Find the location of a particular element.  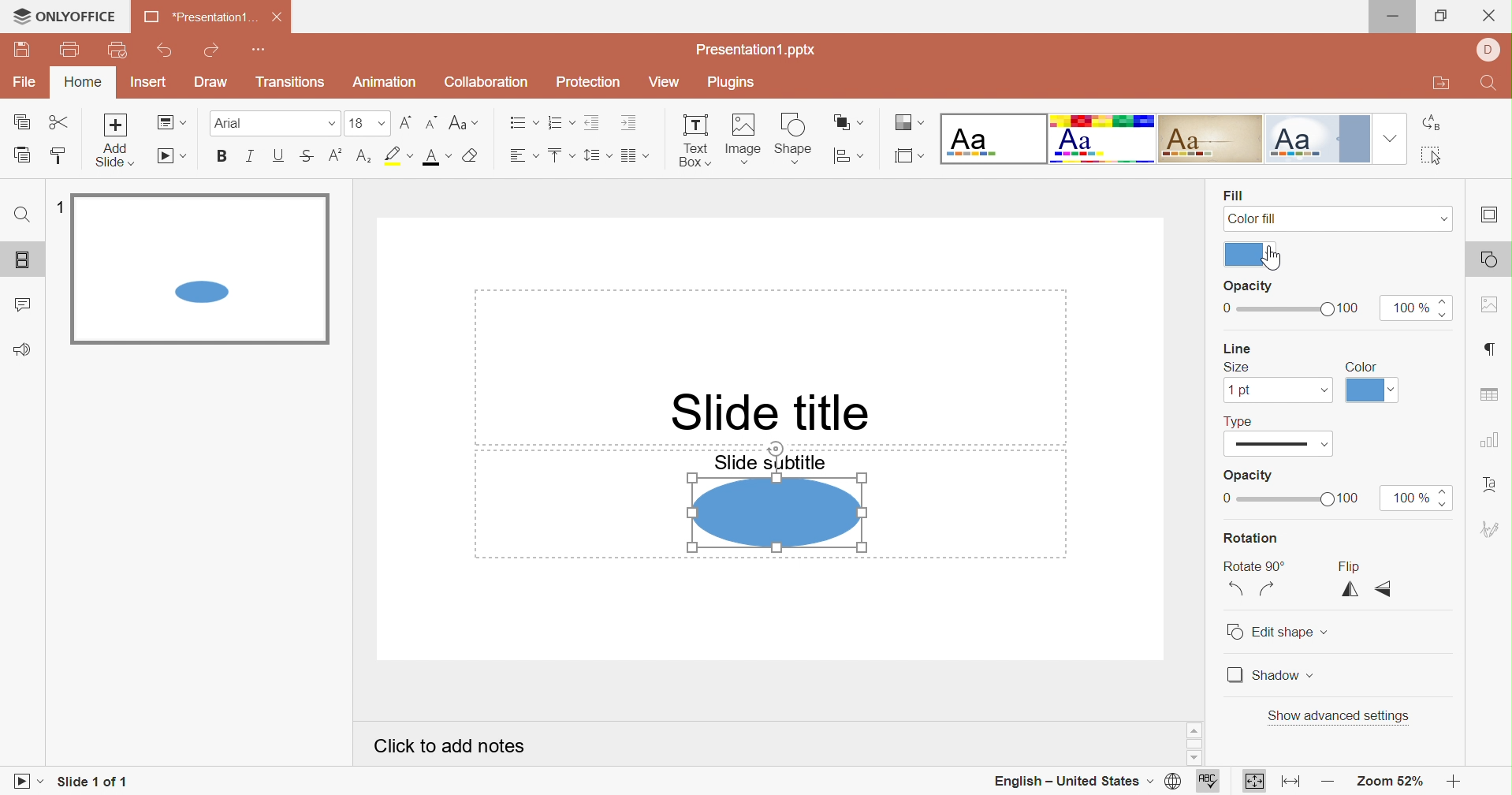

Cursor is located at coordinates (1284, 261).